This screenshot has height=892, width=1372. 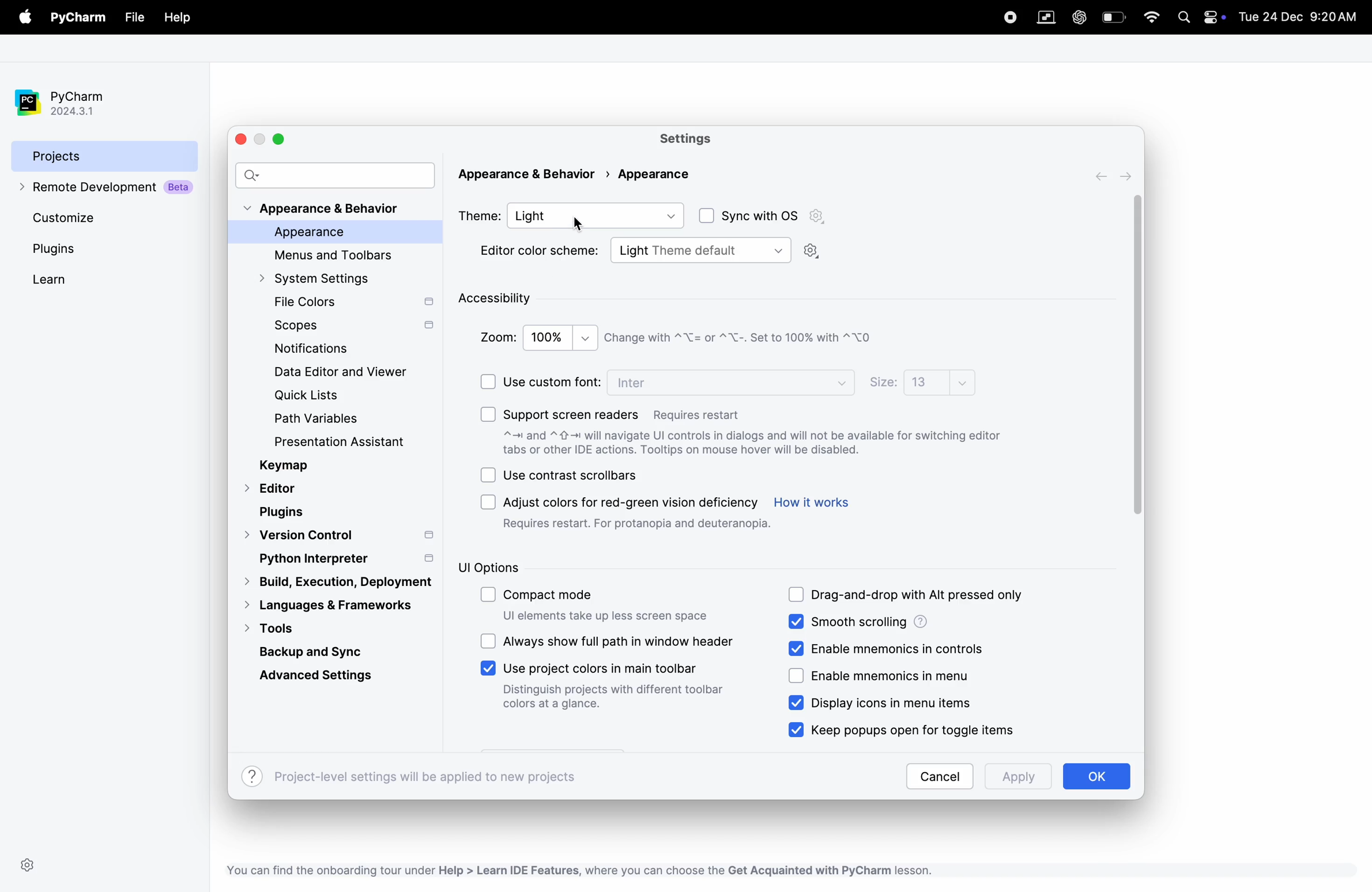 What do you see at coordinates (316, 396) in the screenshot?
I see `Quick lists` at bounding box center [316, 396].